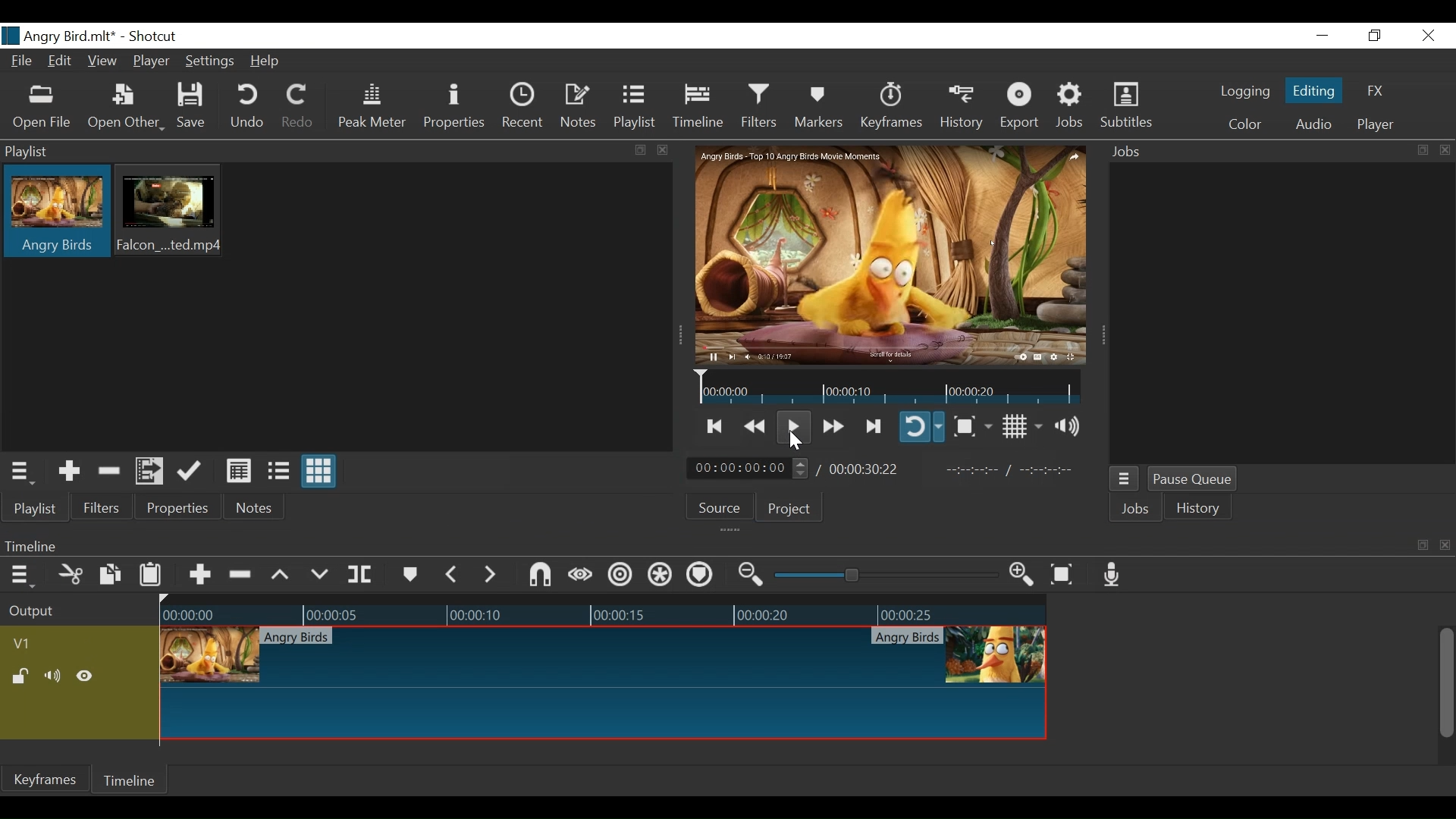 This screenshot has width=1456, height=819. I want to click on Cut, so click(71, 574).